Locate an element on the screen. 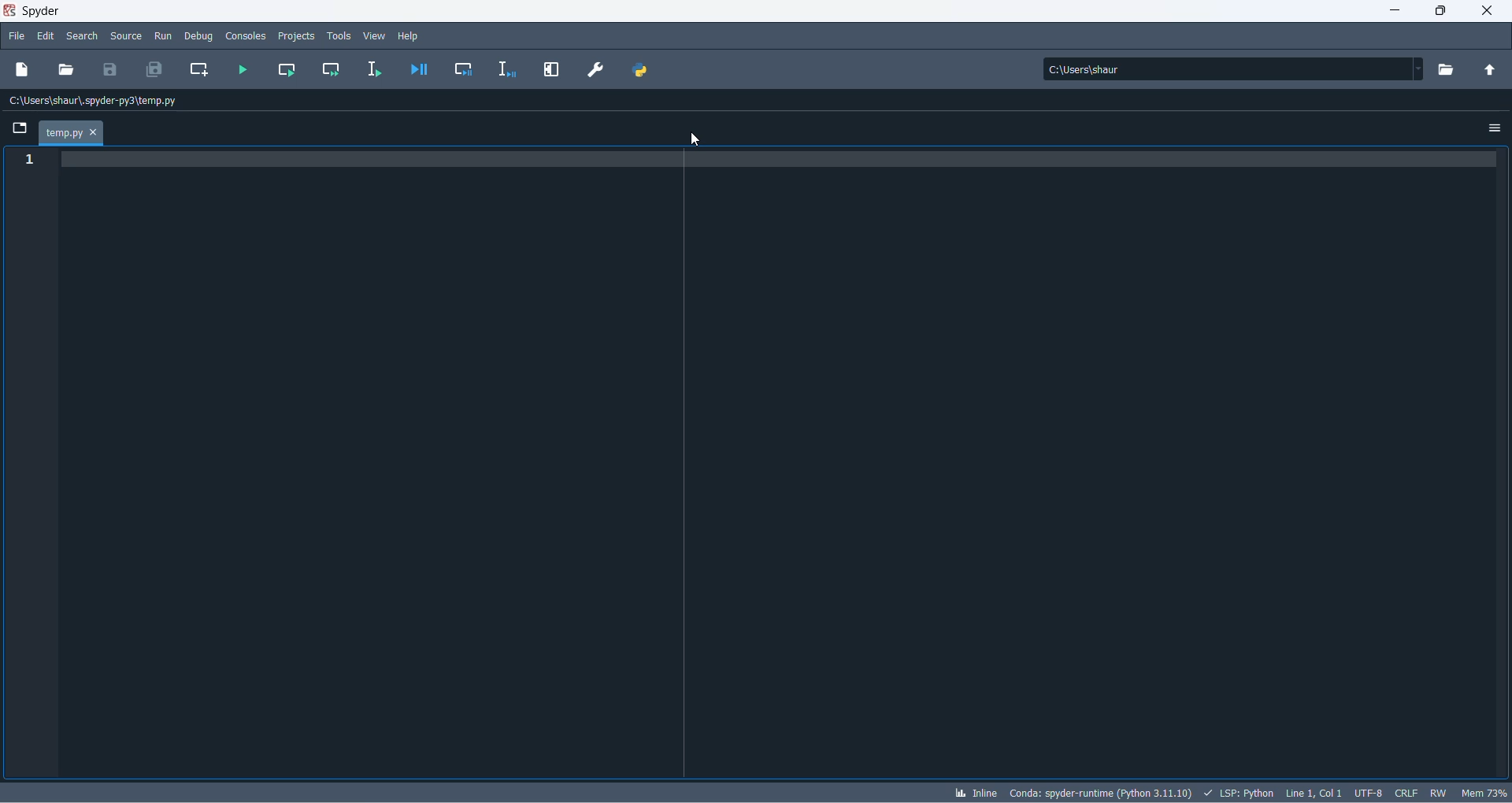 The image size is (1512, 803). tab is located at coordinates (73, 134).